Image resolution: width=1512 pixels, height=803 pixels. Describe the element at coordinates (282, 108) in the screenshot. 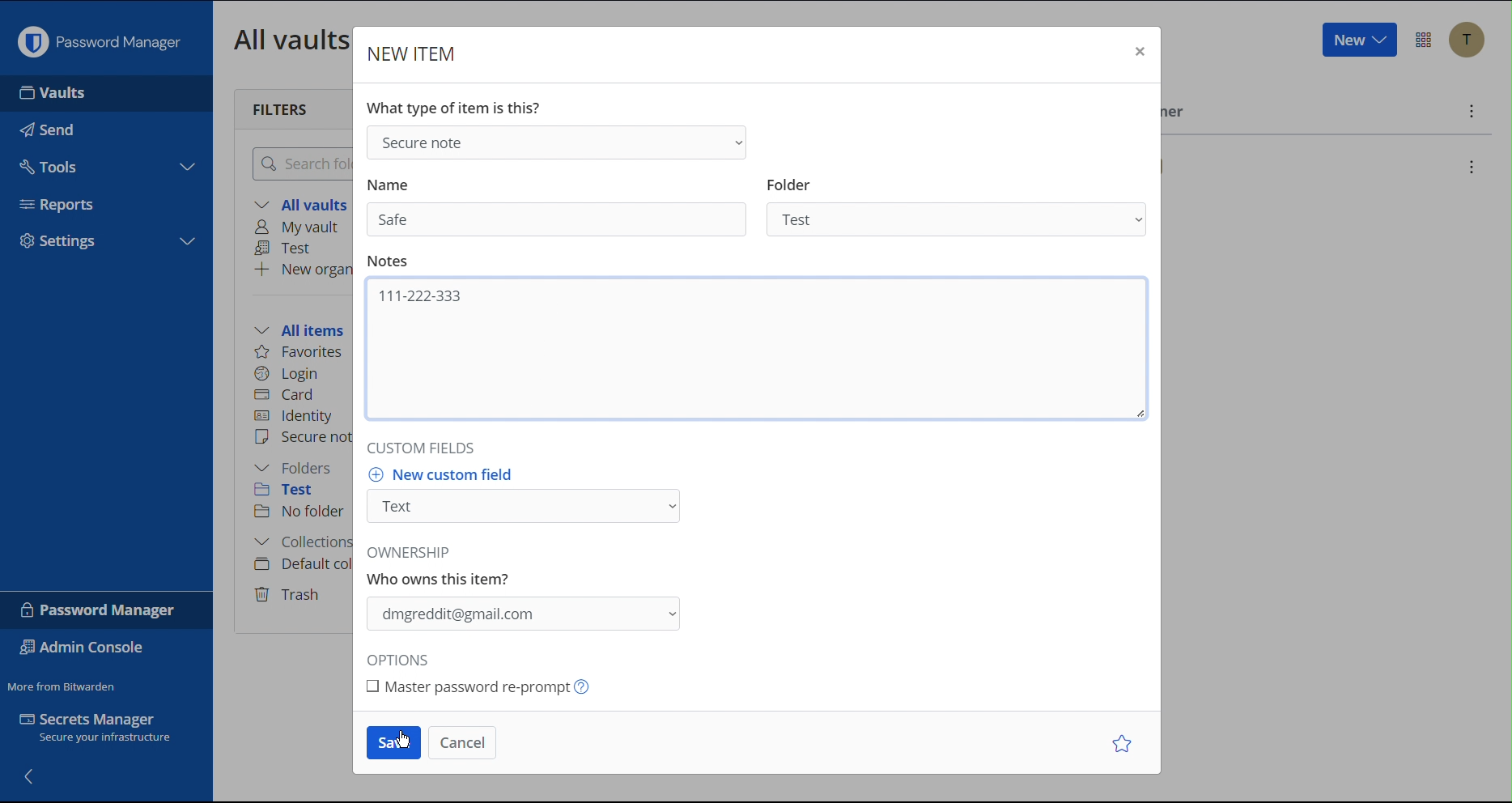

I see `Filters` at that location.